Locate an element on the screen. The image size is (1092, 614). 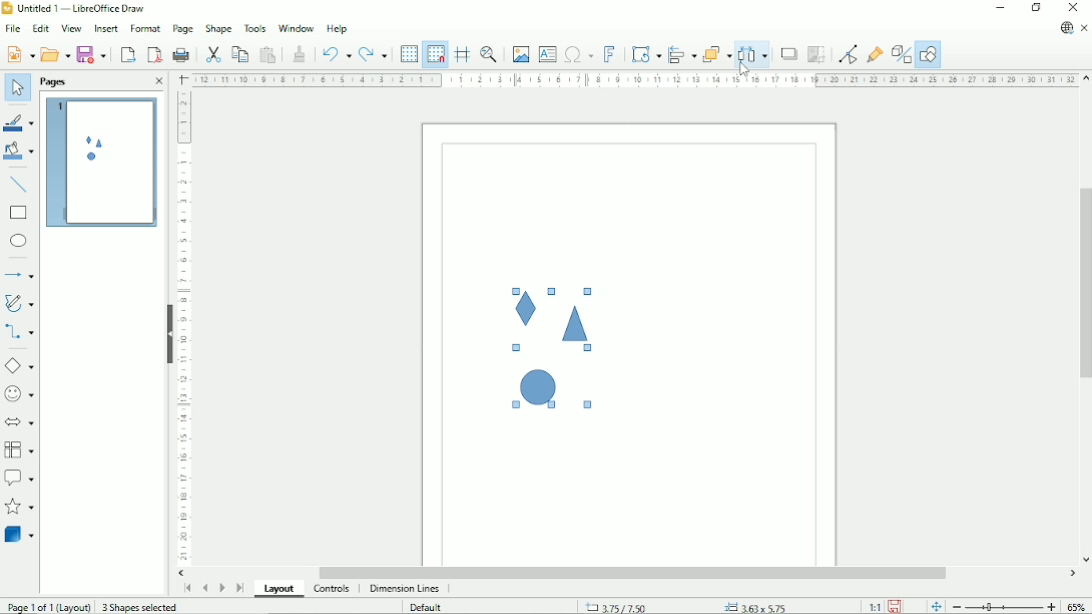
Zoom & pan is located at coordinates (488, 54).